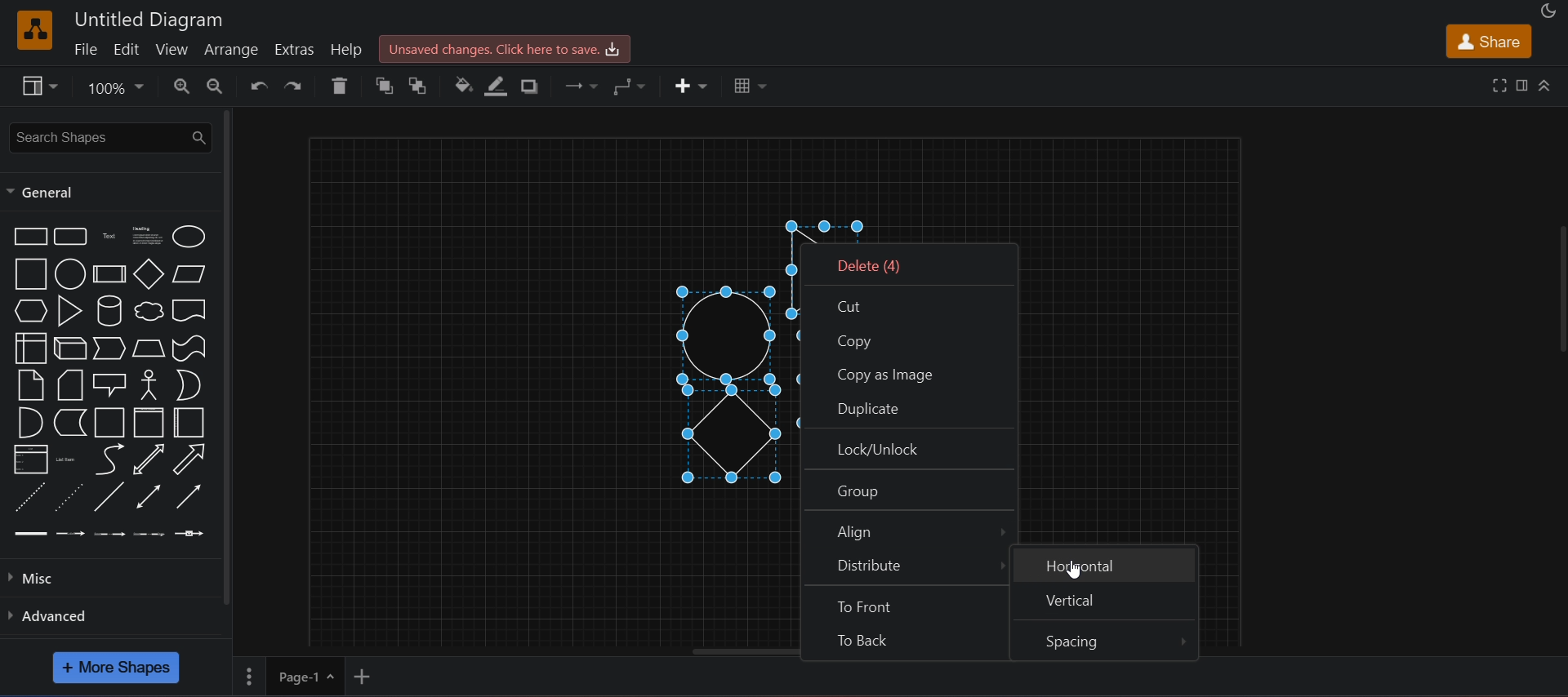  What do you see at coordinates (1108, 564) in the screenshot?
I see `horizontal` at bounding box center [1108, 564].